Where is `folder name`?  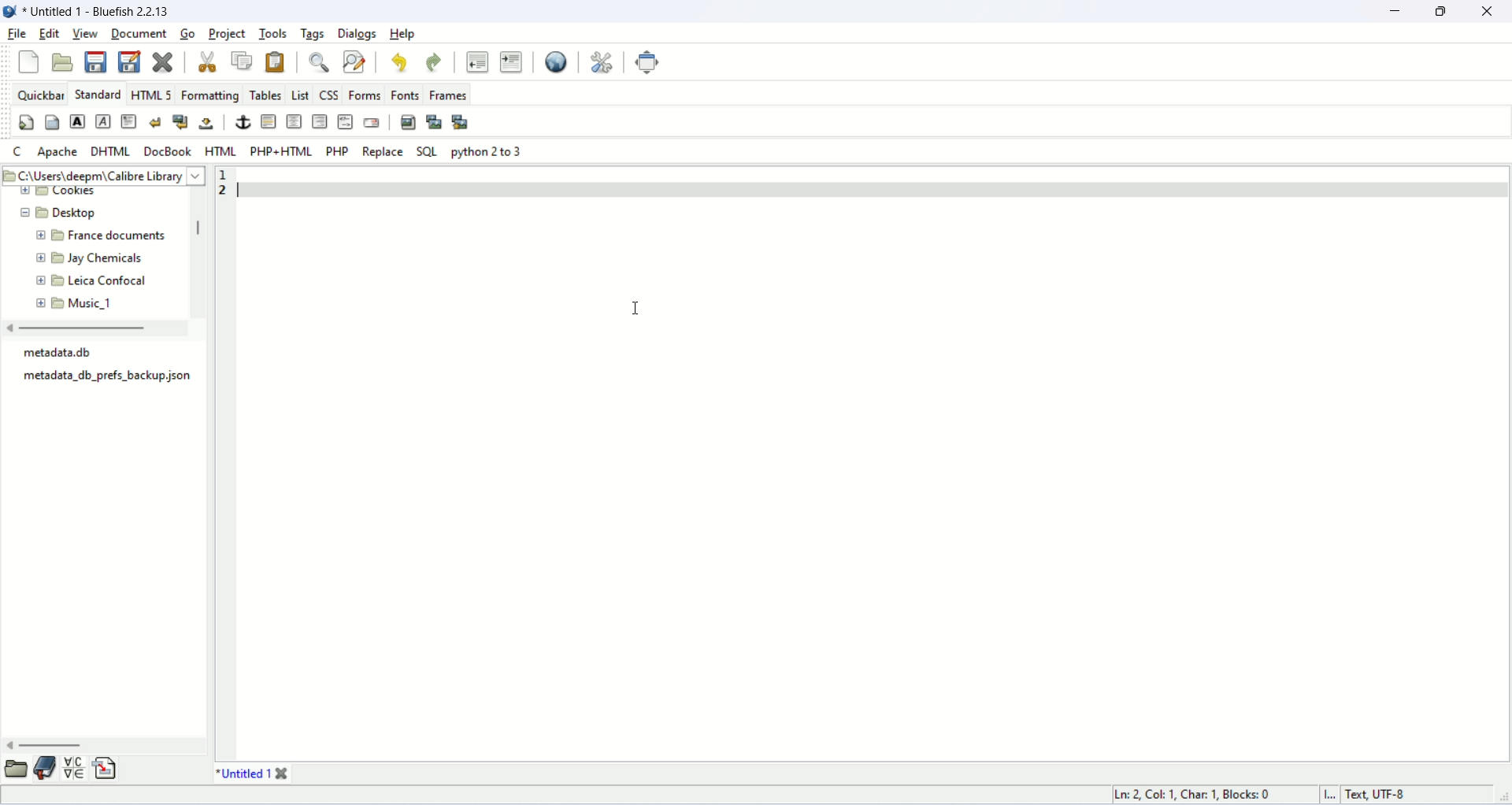
folder name is located at coordinates (91, 260).